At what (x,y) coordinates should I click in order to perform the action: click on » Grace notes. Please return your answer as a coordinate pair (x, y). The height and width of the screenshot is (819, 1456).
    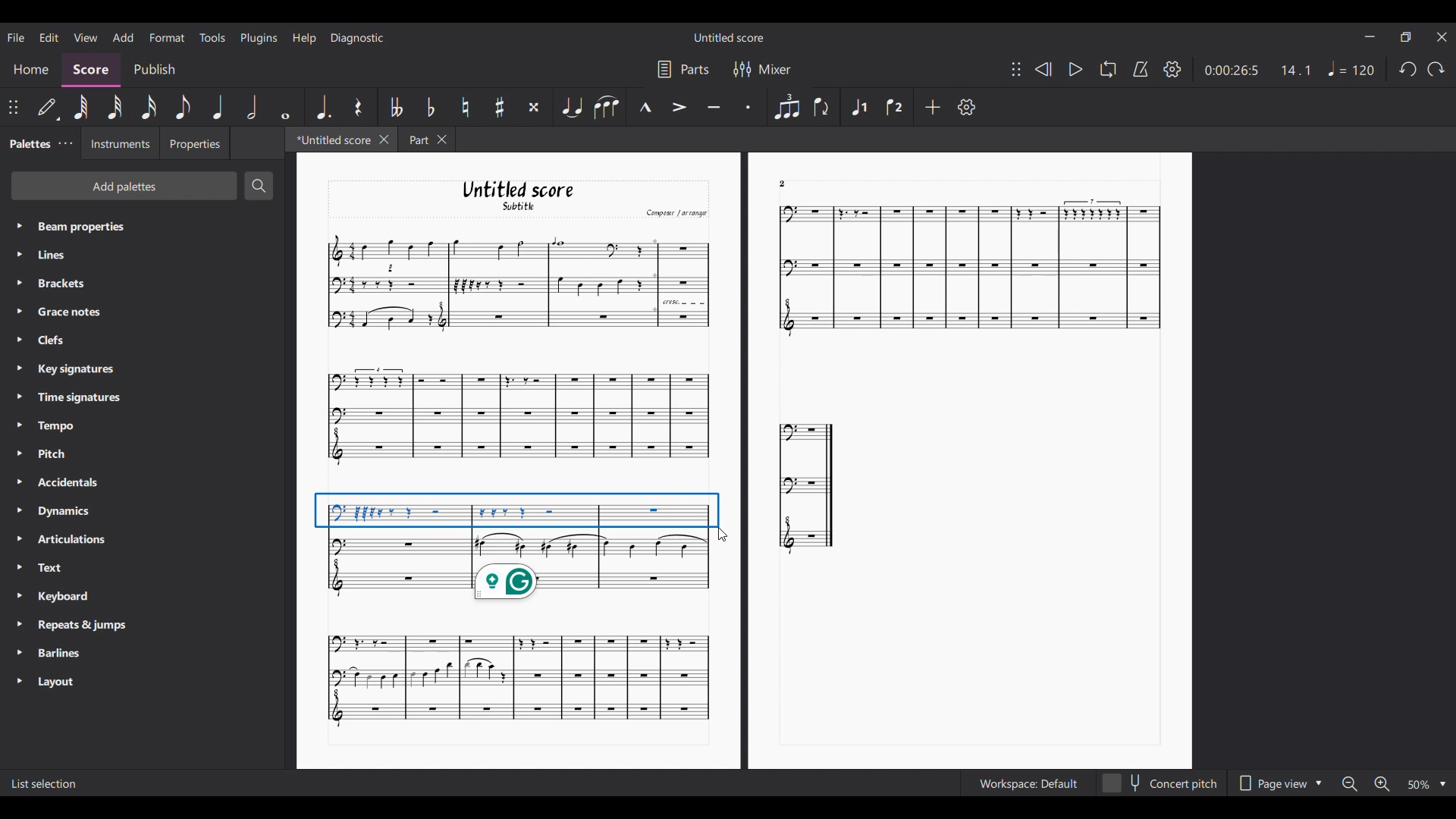
    Looking at the image, I should click on (65, 312).